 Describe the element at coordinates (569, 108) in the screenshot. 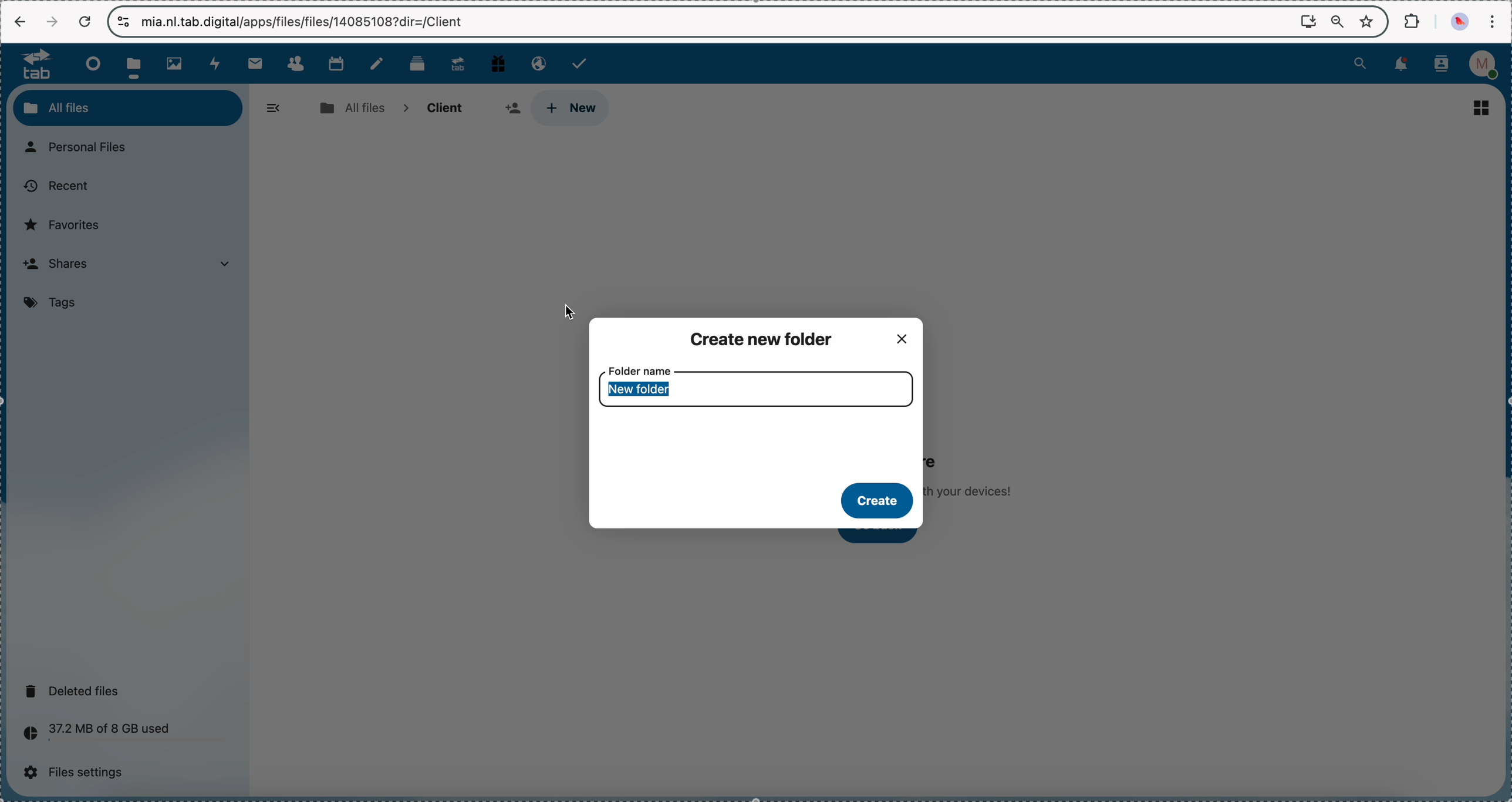

I see `click on new button` at that location.